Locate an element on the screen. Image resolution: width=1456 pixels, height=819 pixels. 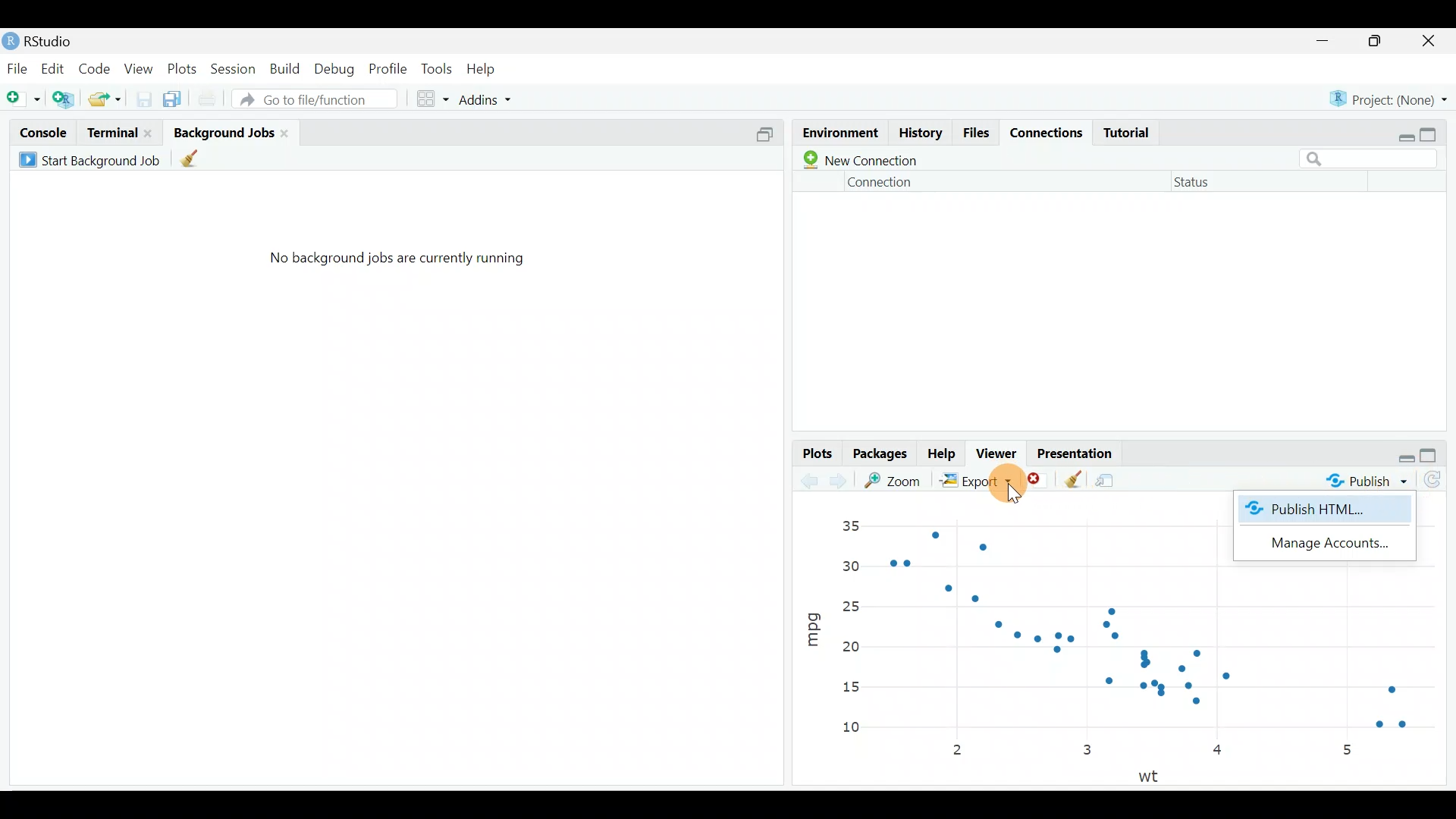
show in new window is located at coordinates (1111, 477).